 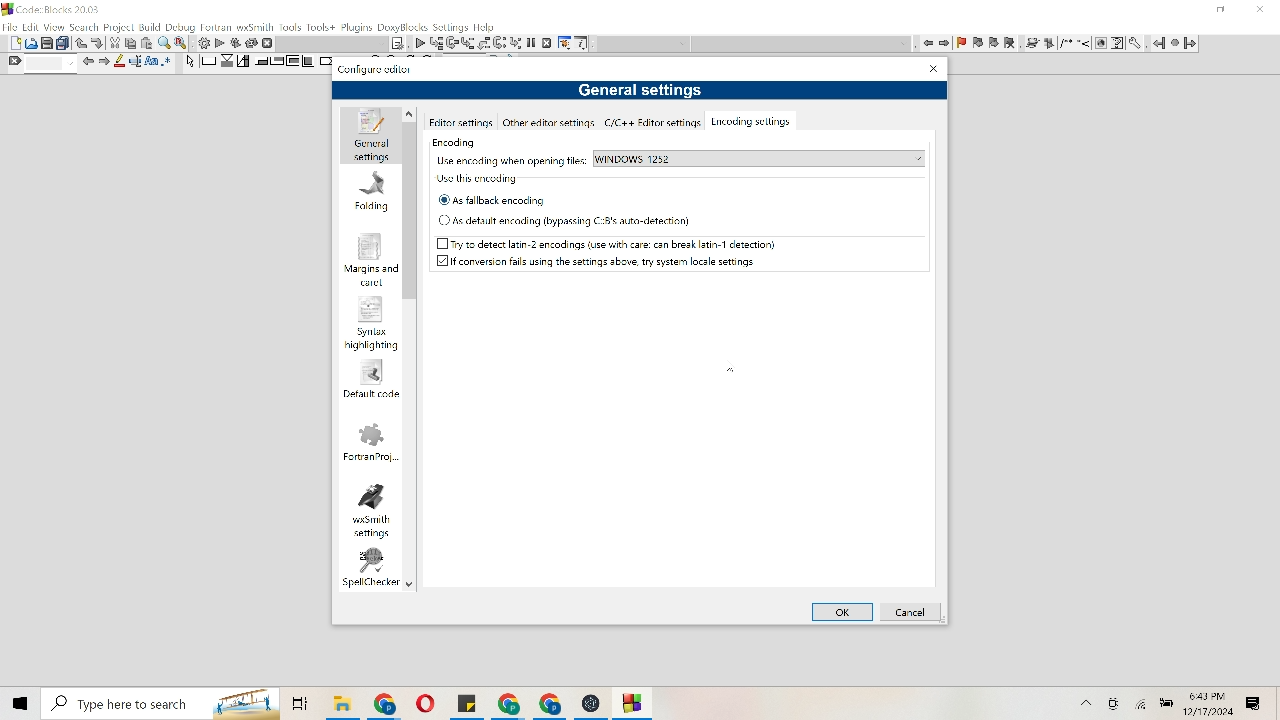 I want to click on Move up or down, so click(x=80, y=43).